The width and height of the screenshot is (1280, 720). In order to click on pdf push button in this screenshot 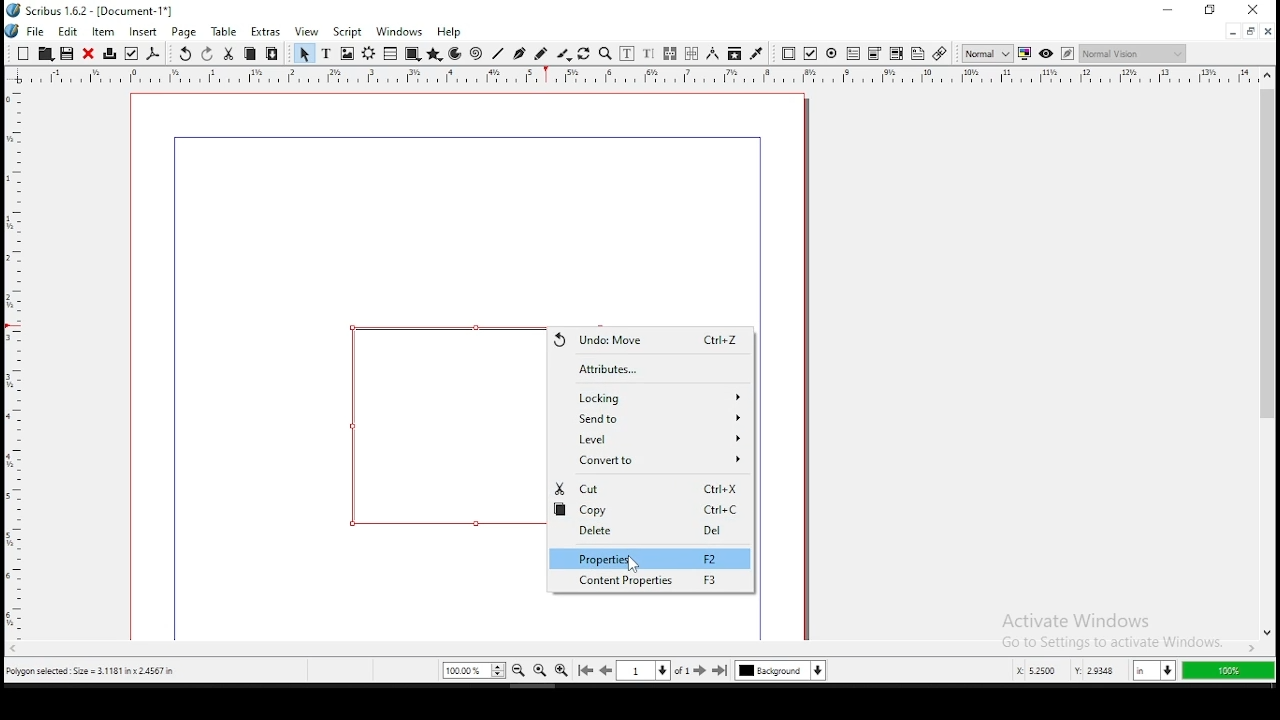, I will do `click(789, 55)`.